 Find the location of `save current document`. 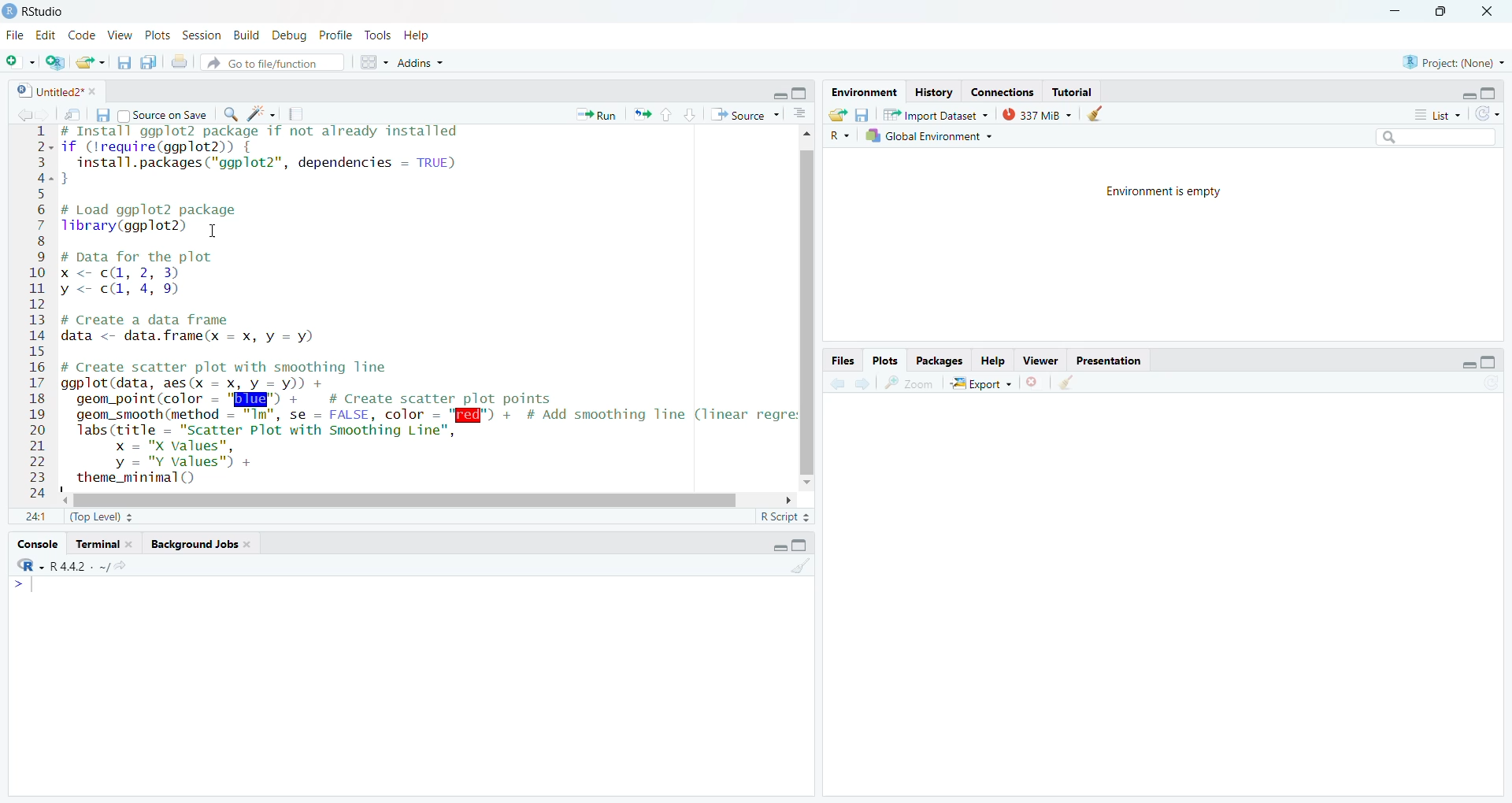

save current document is located at coordinates (124, 63).